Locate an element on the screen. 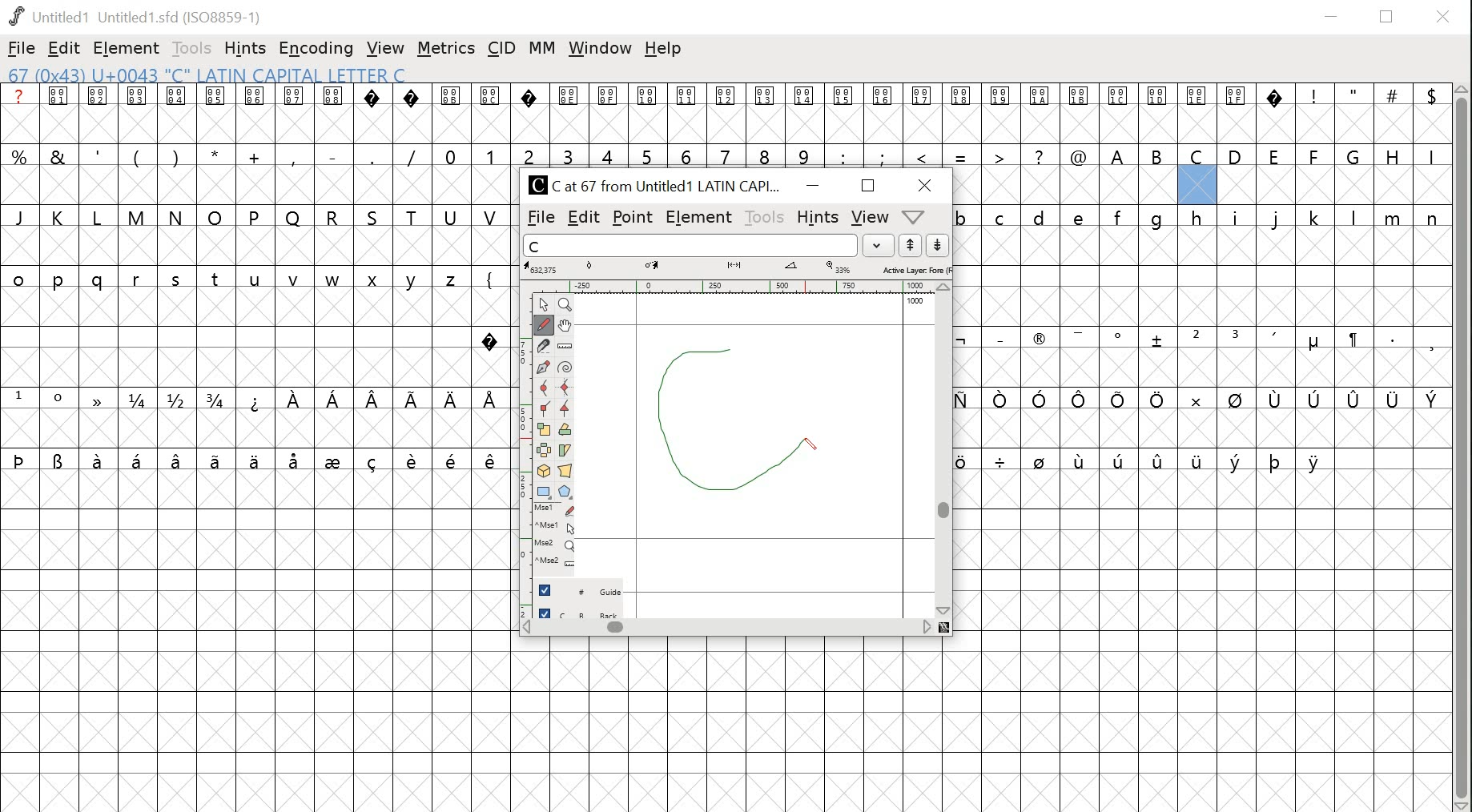 The width and height of the screenshot is (1472, 812). maximize is located at coordinates (871, 186).